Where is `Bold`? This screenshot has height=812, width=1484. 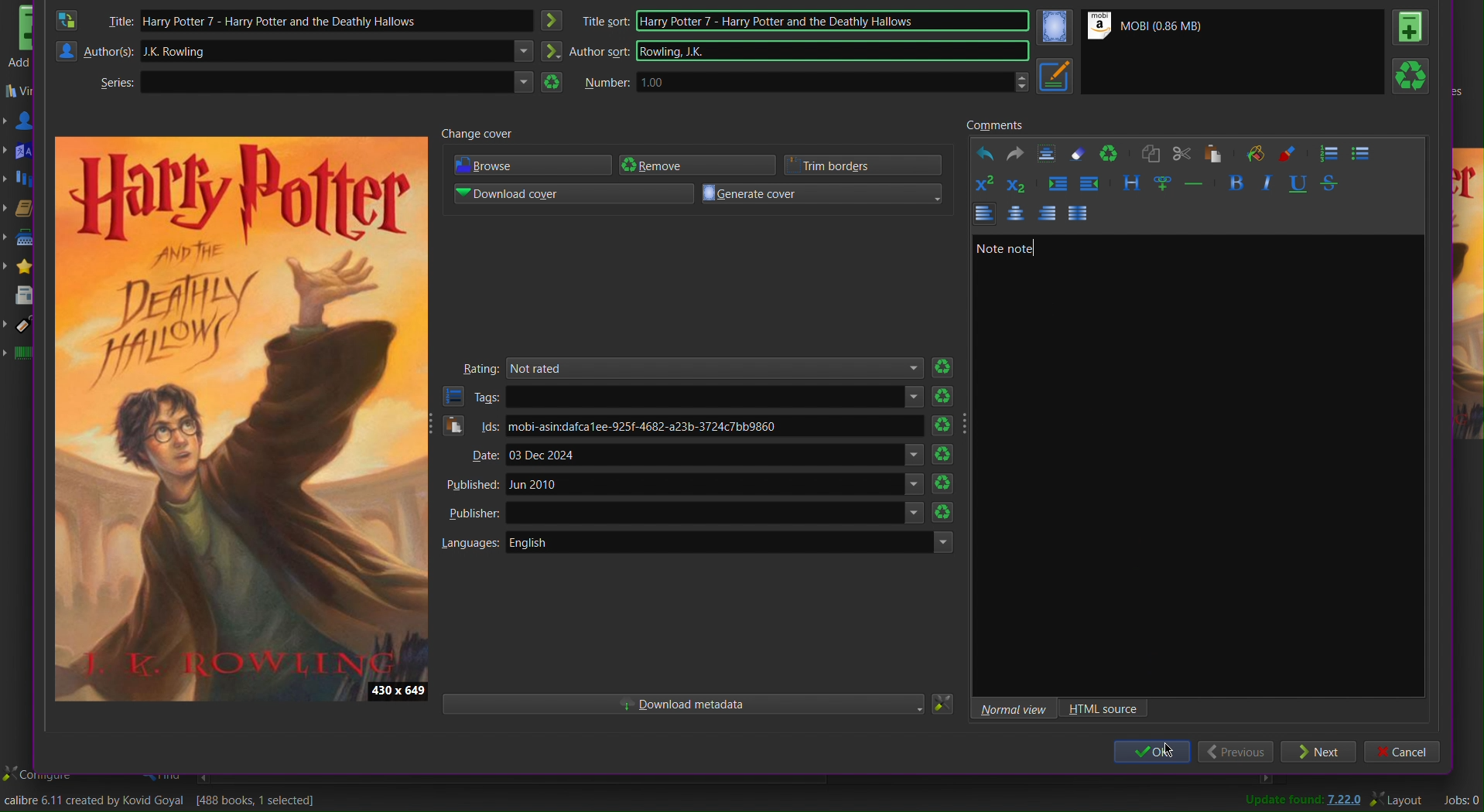
Bold is located at coordinates (1238, 183).